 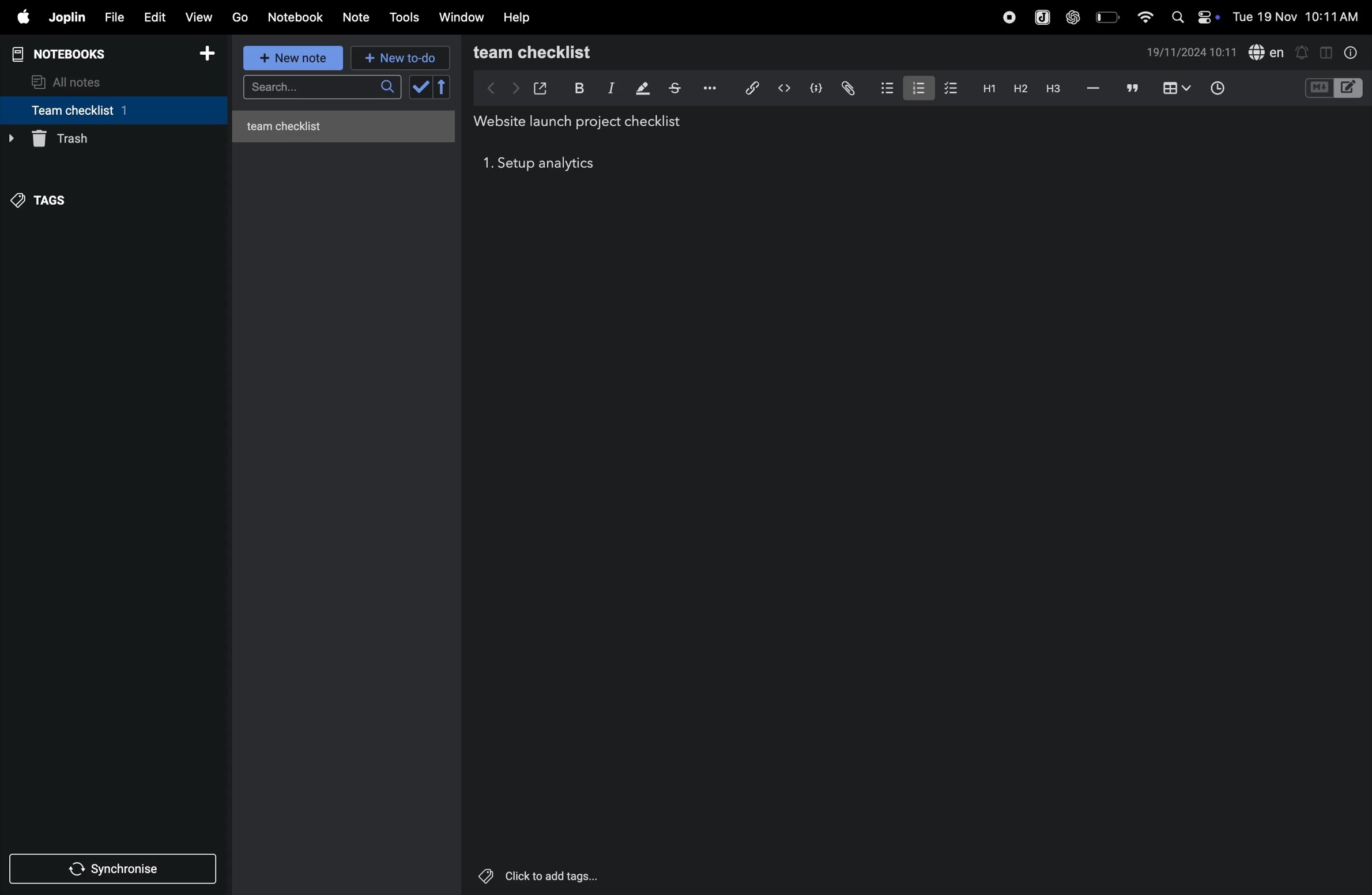 What do you see at coordinates (212, 54) in the screenshot?
I see `add` at bounding box center [212, 54].